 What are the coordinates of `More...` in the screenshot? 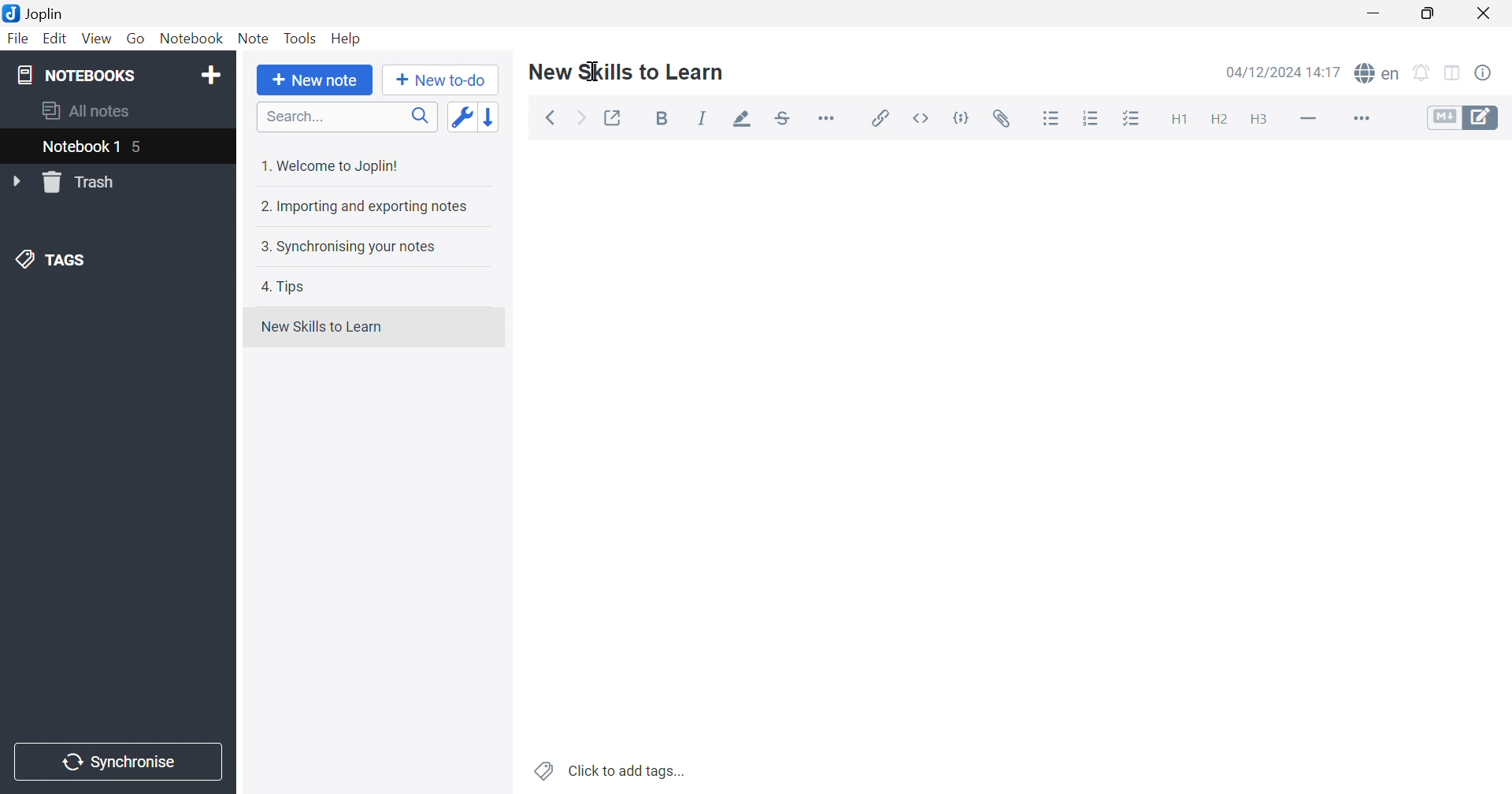 It's located at (1359, 120).